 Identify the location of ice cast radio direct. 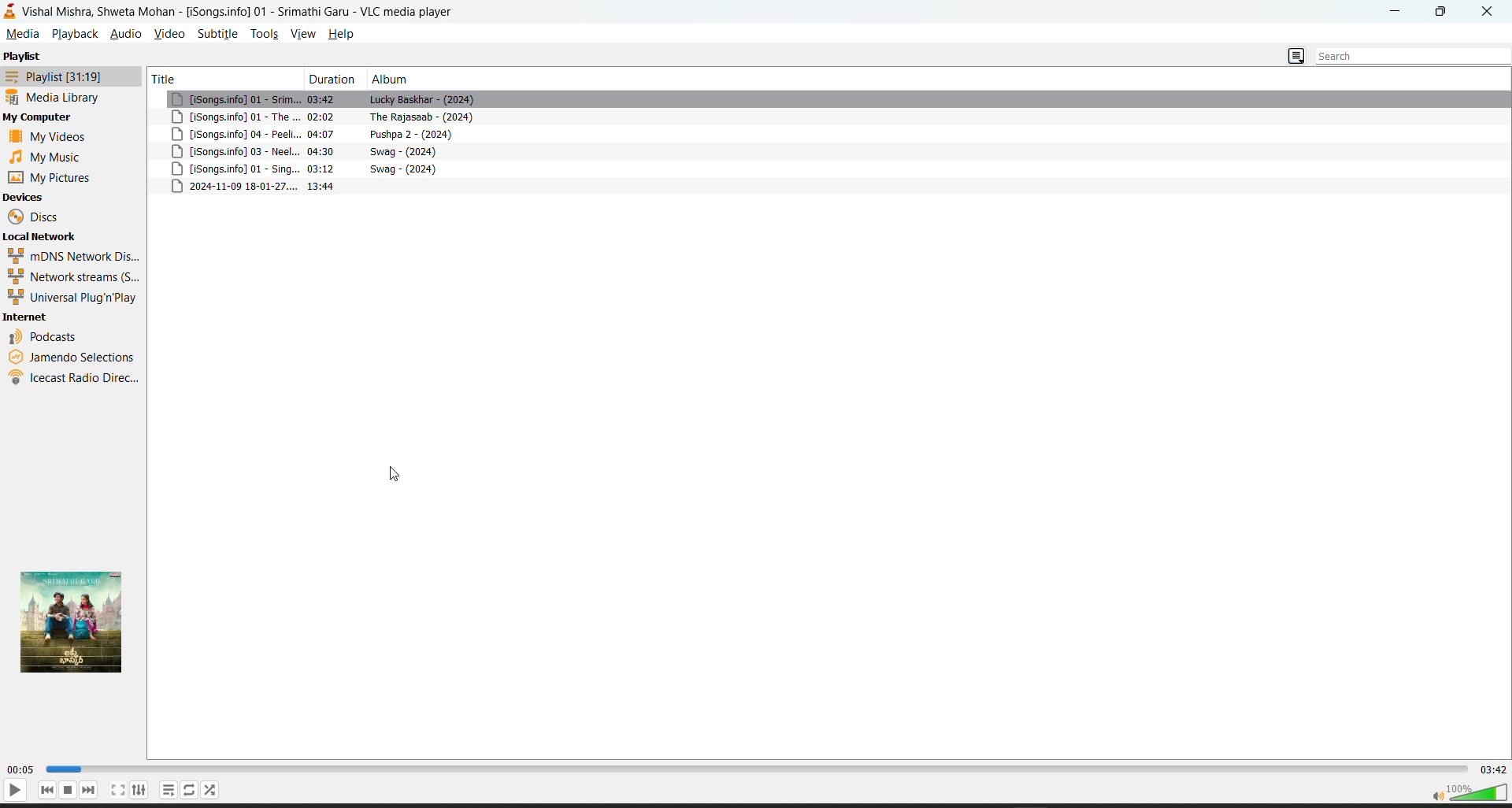
(75, 379).